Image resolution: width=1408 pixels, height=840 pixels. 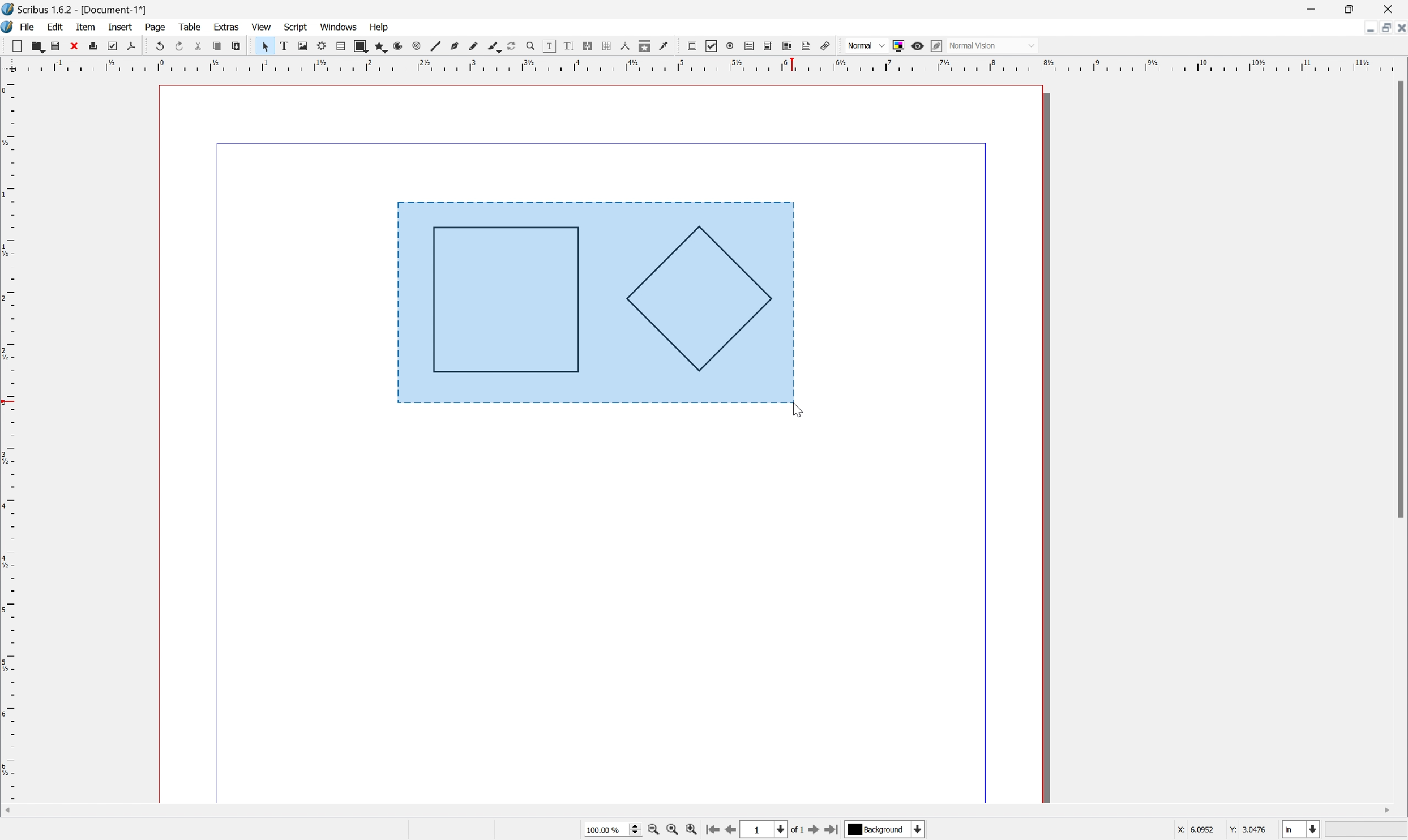 What do you see at coordinates (771, 831) in the screenshot?
I see `Select current page` at bounding box center [771, 831].